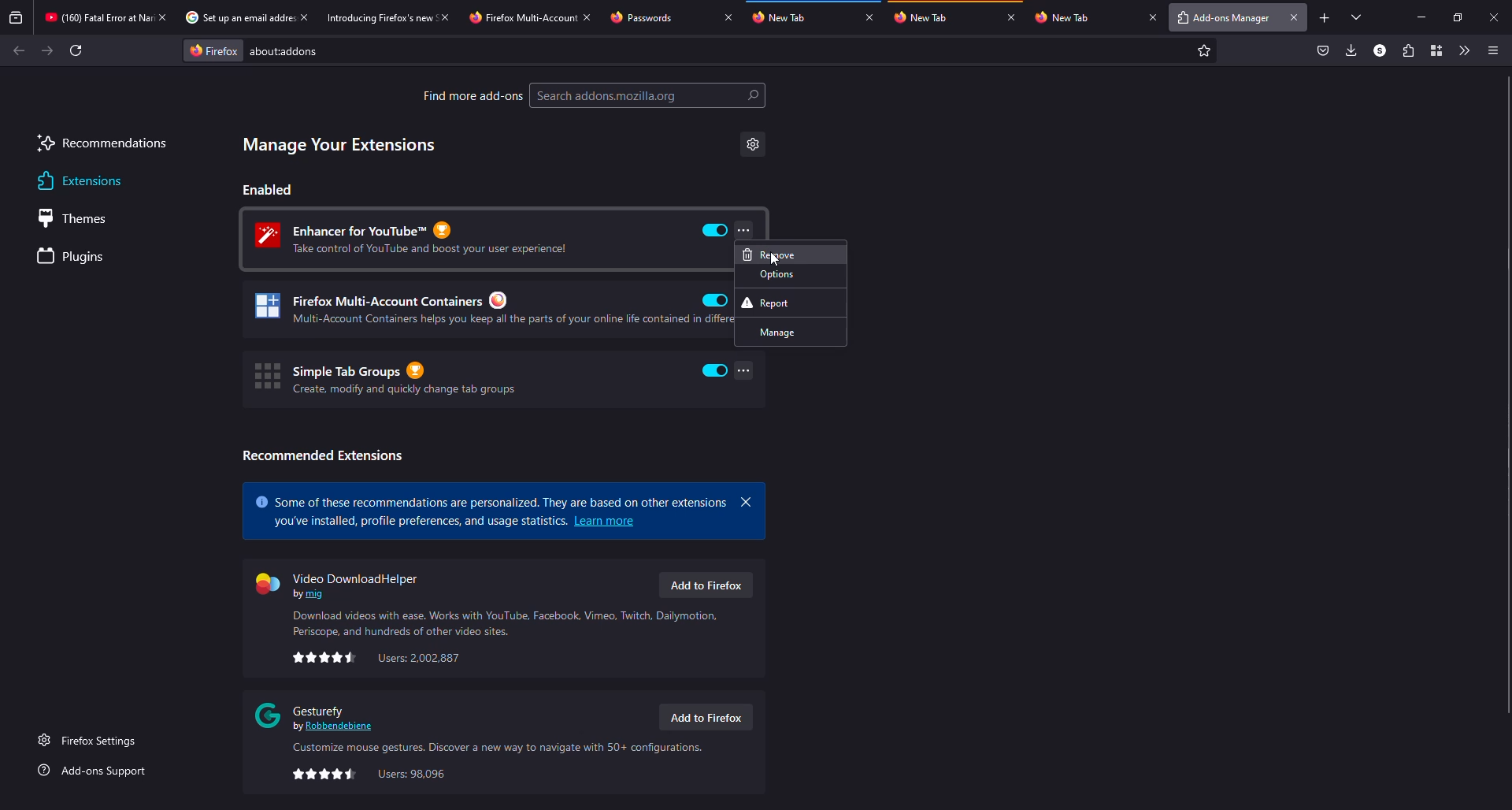 This screenshot has width=1512, height=810. Describe the element at coordinates (1406, 50) in the screenshot. I see `extensions` at that location.